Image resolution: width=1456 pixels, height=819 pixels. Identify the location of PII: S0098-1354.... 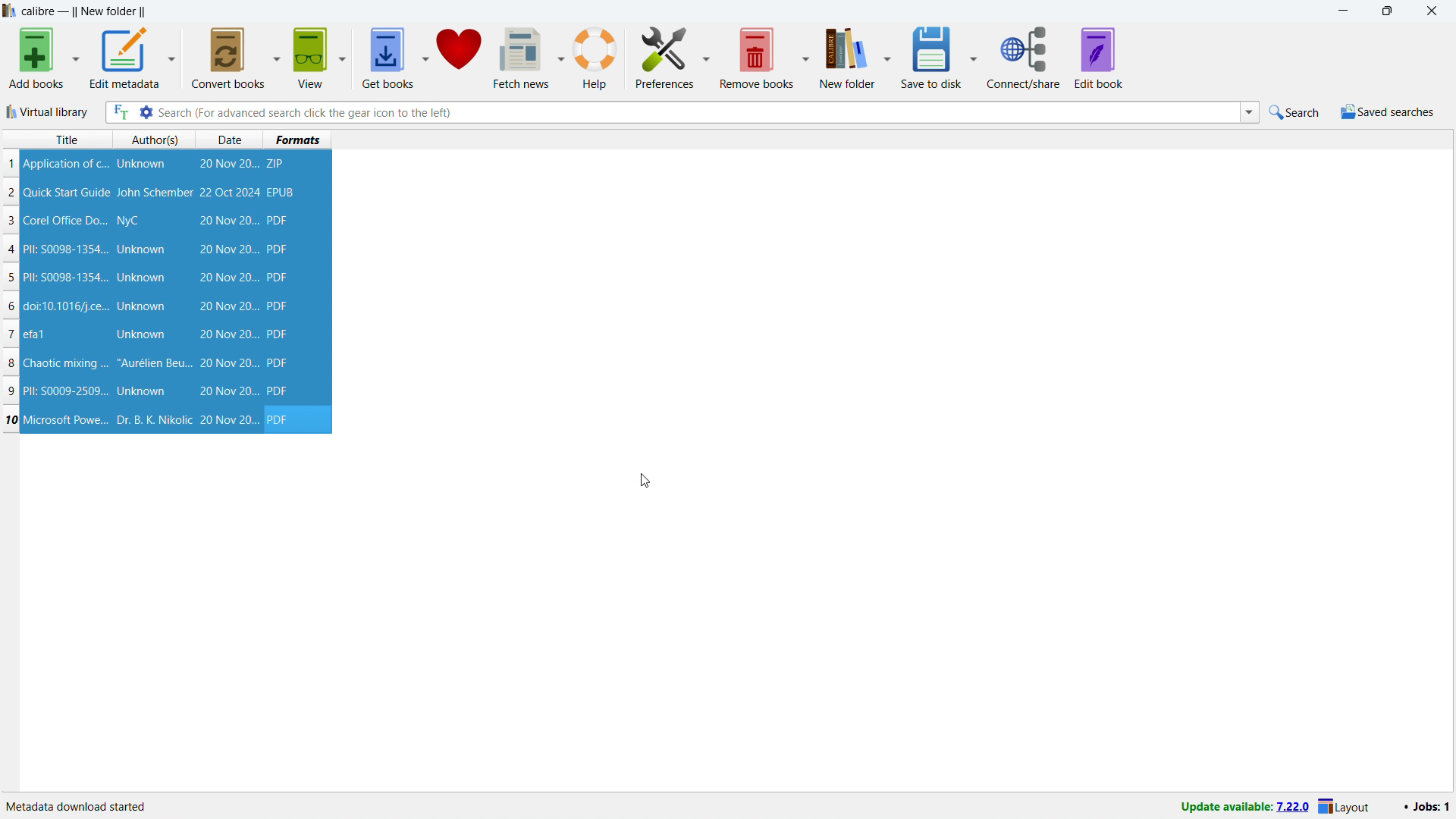
(66, 249).